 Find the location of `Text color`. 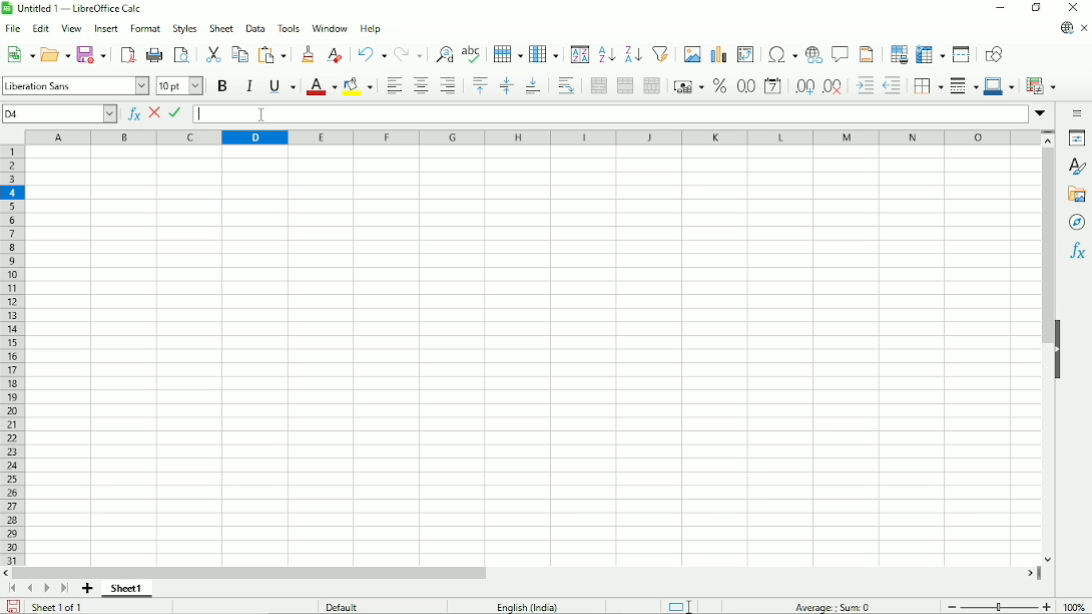

Text color is located at coordinates (323, 86).